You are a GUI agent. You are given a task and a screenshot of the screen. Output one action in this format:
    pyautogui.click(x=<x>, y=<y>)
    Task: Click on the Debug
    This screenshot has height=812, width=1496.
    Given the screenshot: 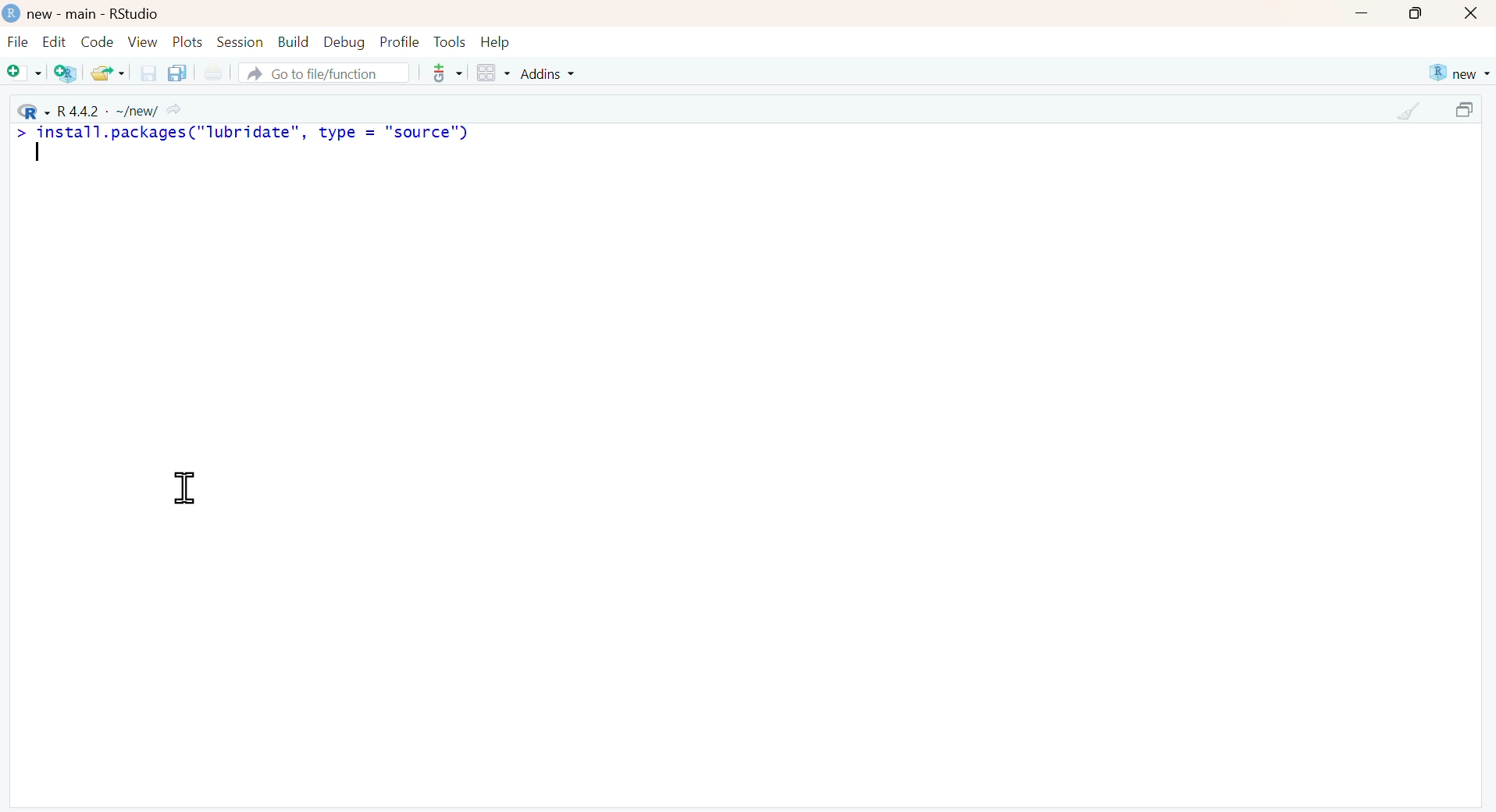 What is the action you would take?
    pyautogui.click(x=343, y=41)
    